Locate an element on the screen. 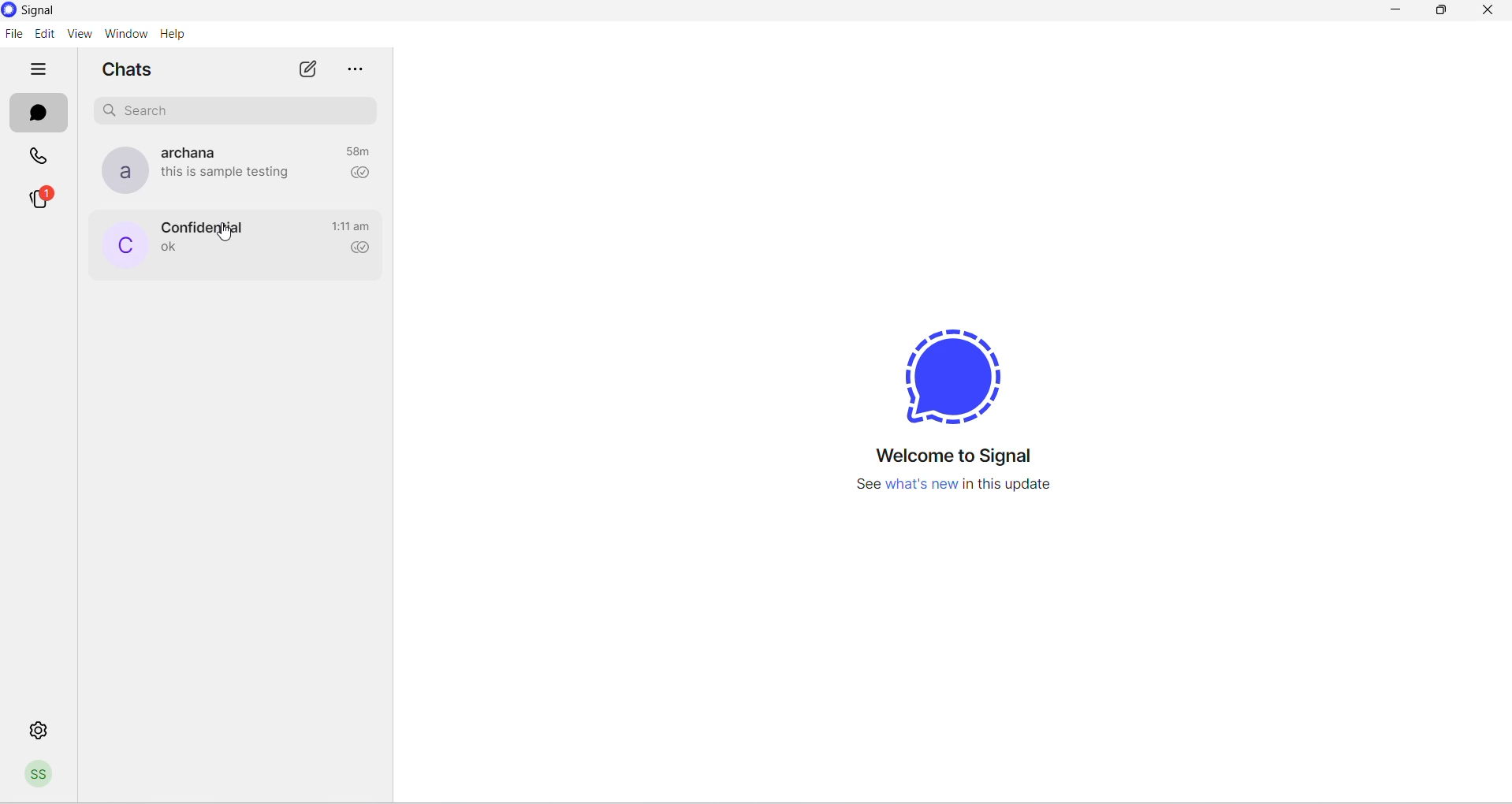 Image resolution: width=1512 pixels, height=804 pixels. chats heading is located at coordinates (134, 72).